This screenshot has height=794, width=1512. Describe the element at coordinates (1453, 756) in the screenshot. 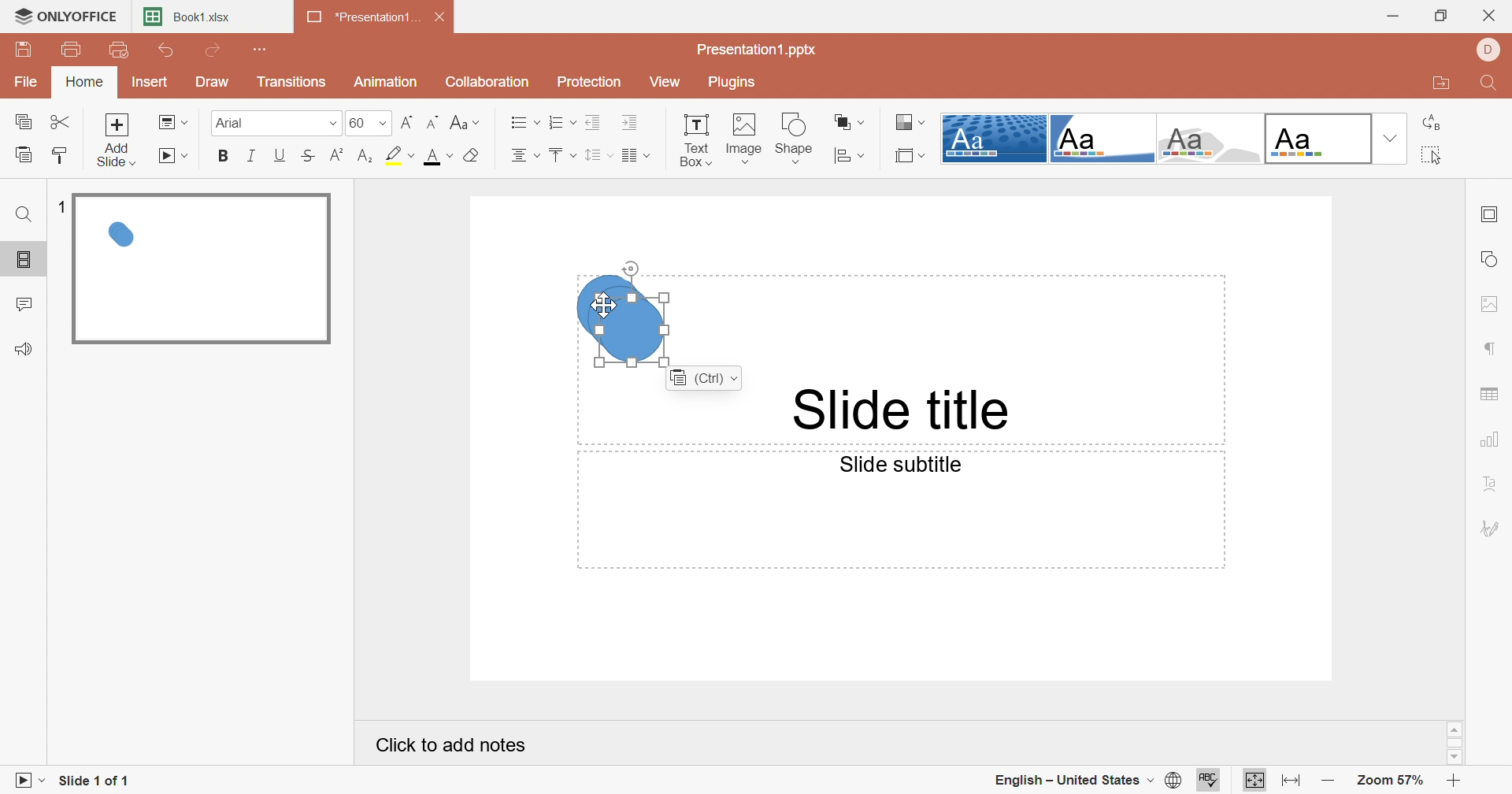

I see `Scroll down` at that location.